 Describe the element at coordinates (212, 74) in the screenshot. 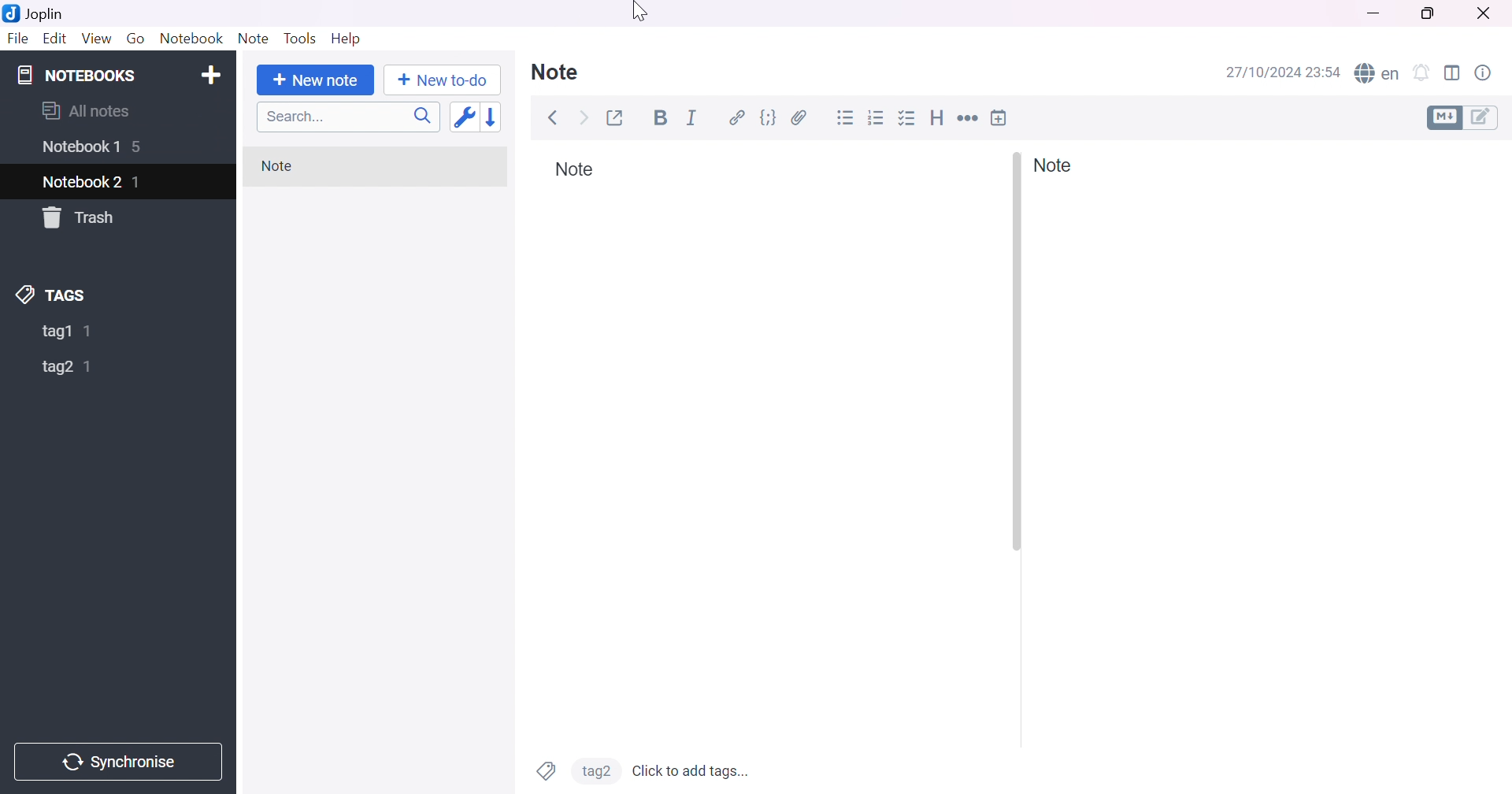

I see `Add notebook` at that location.